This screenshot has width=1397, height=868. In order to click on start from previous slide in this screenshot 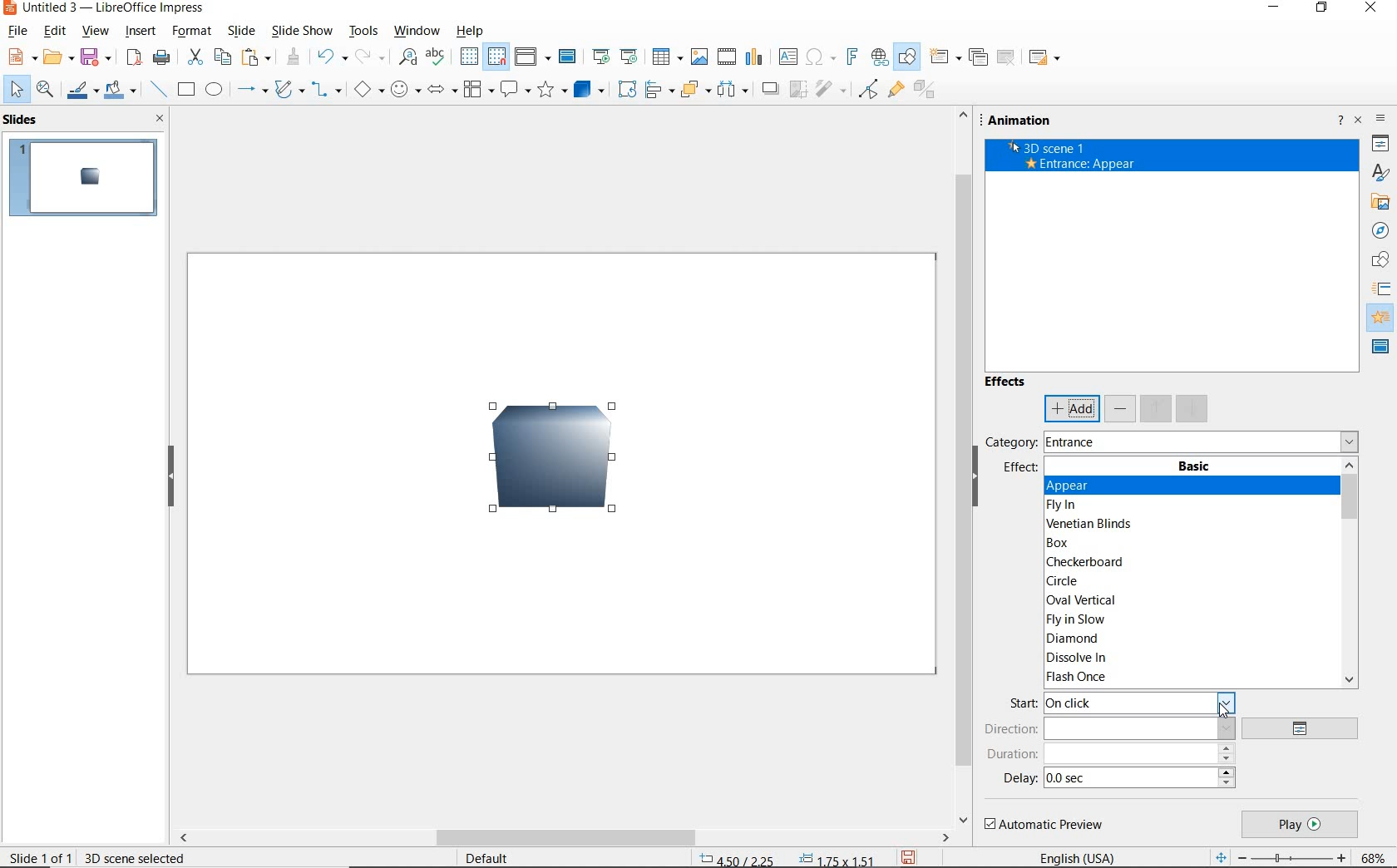, I will do `click(600, 56)`.